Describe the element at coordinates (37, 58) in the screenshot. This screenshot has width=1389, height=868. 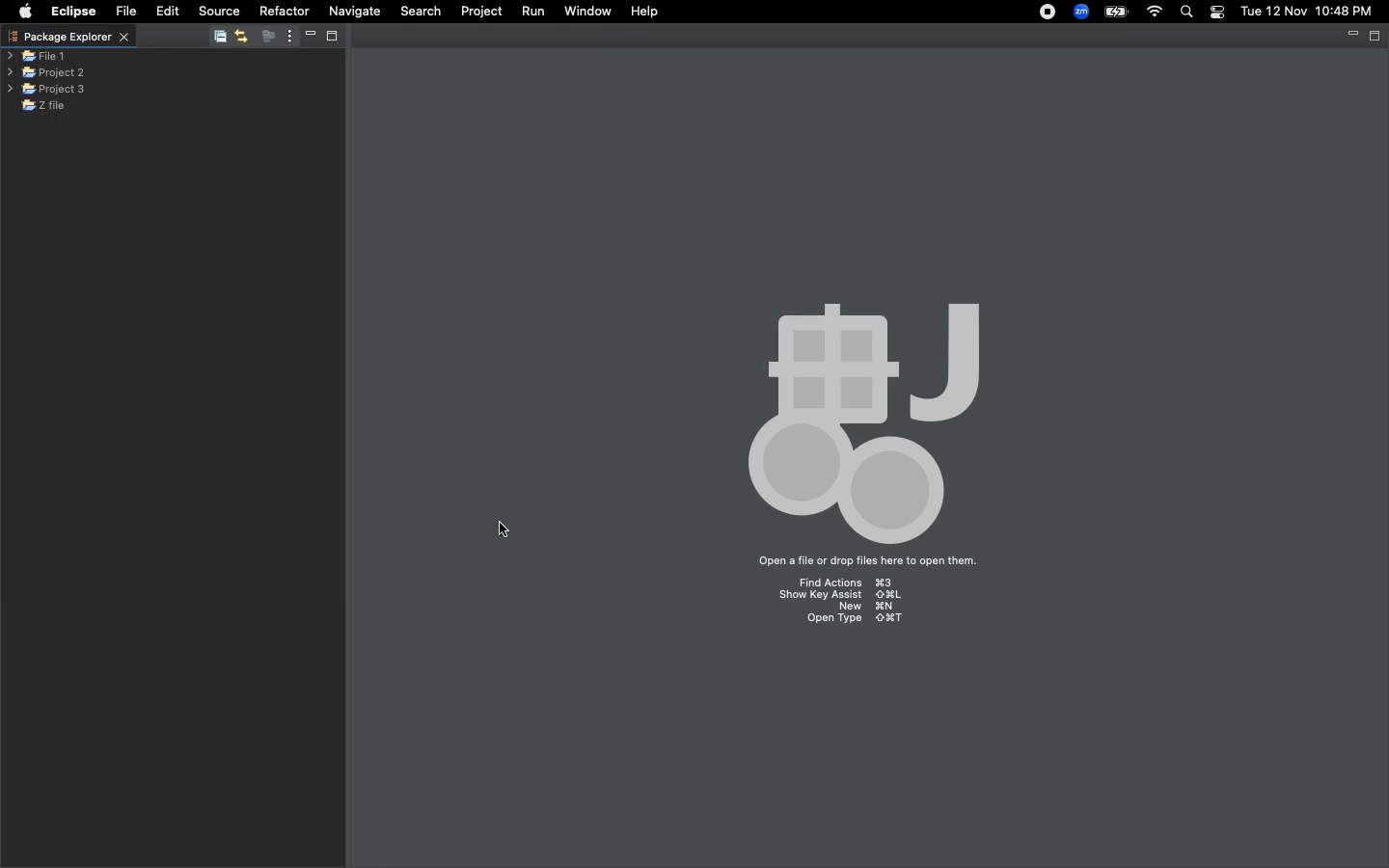
I see `File 1` at that location.